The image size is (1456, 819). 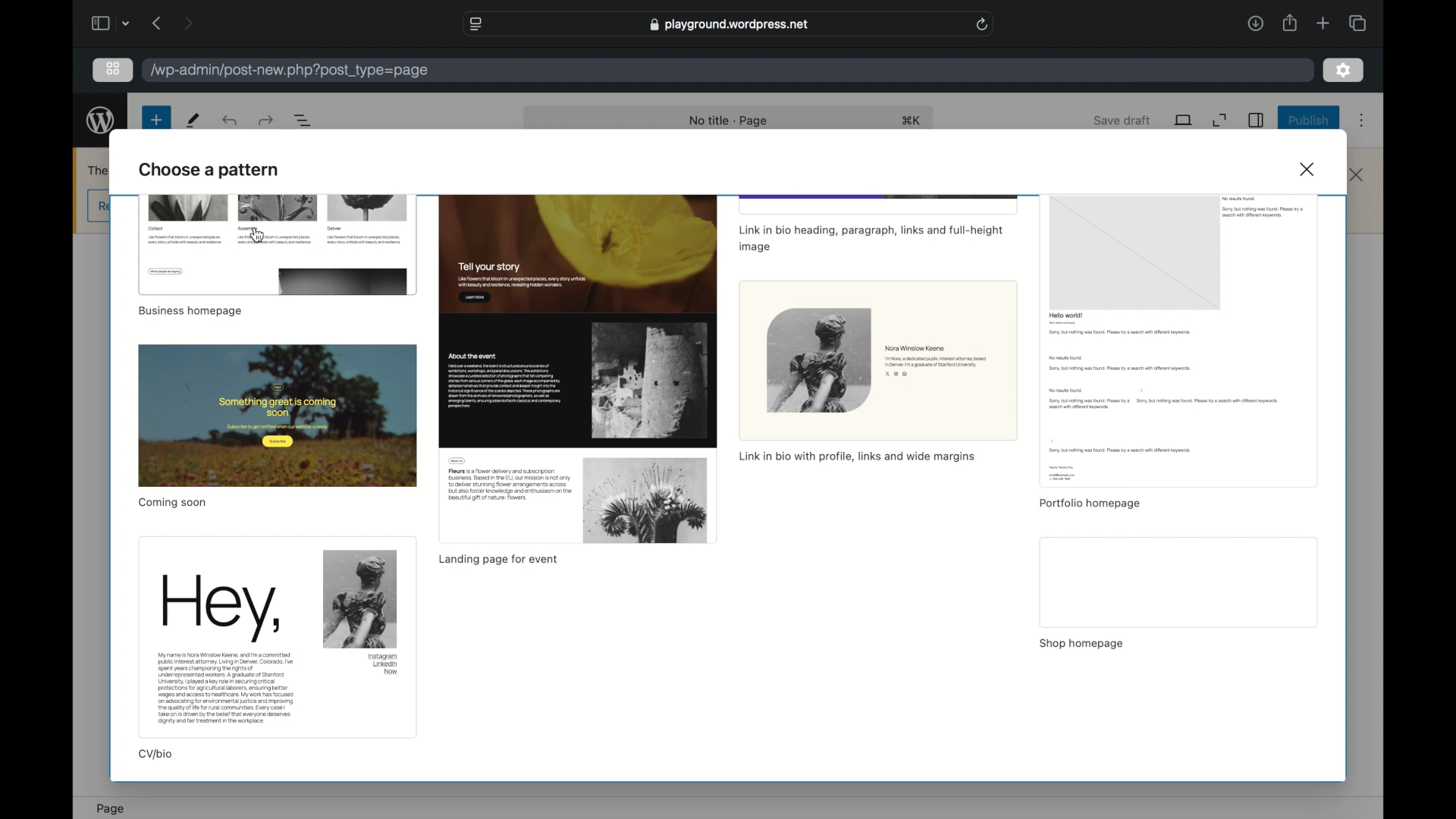 I want to click on view, so click(x=1184, y=121).